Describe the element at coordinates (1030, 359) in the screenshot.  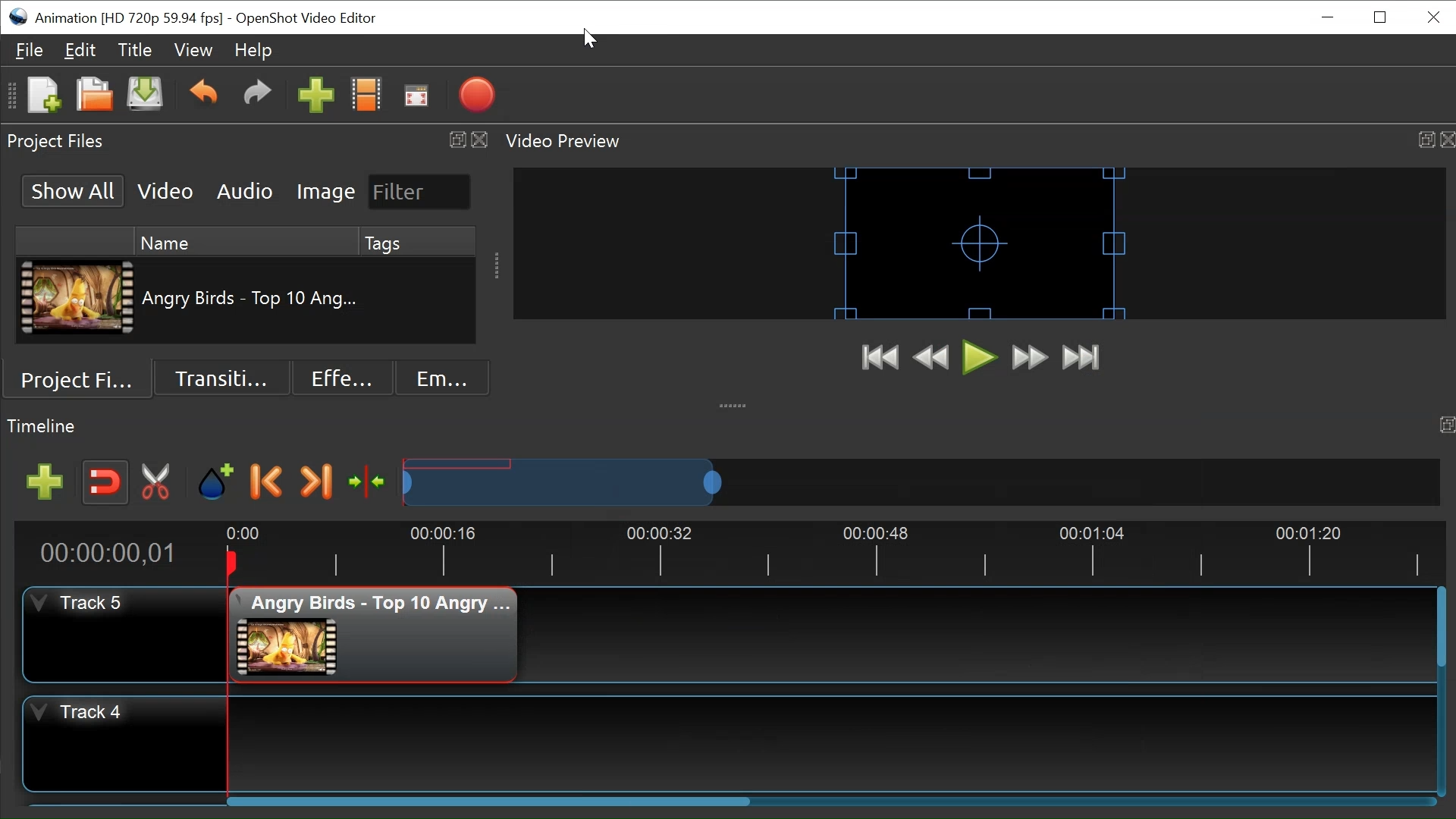
I see `Fast Forward` at that location.